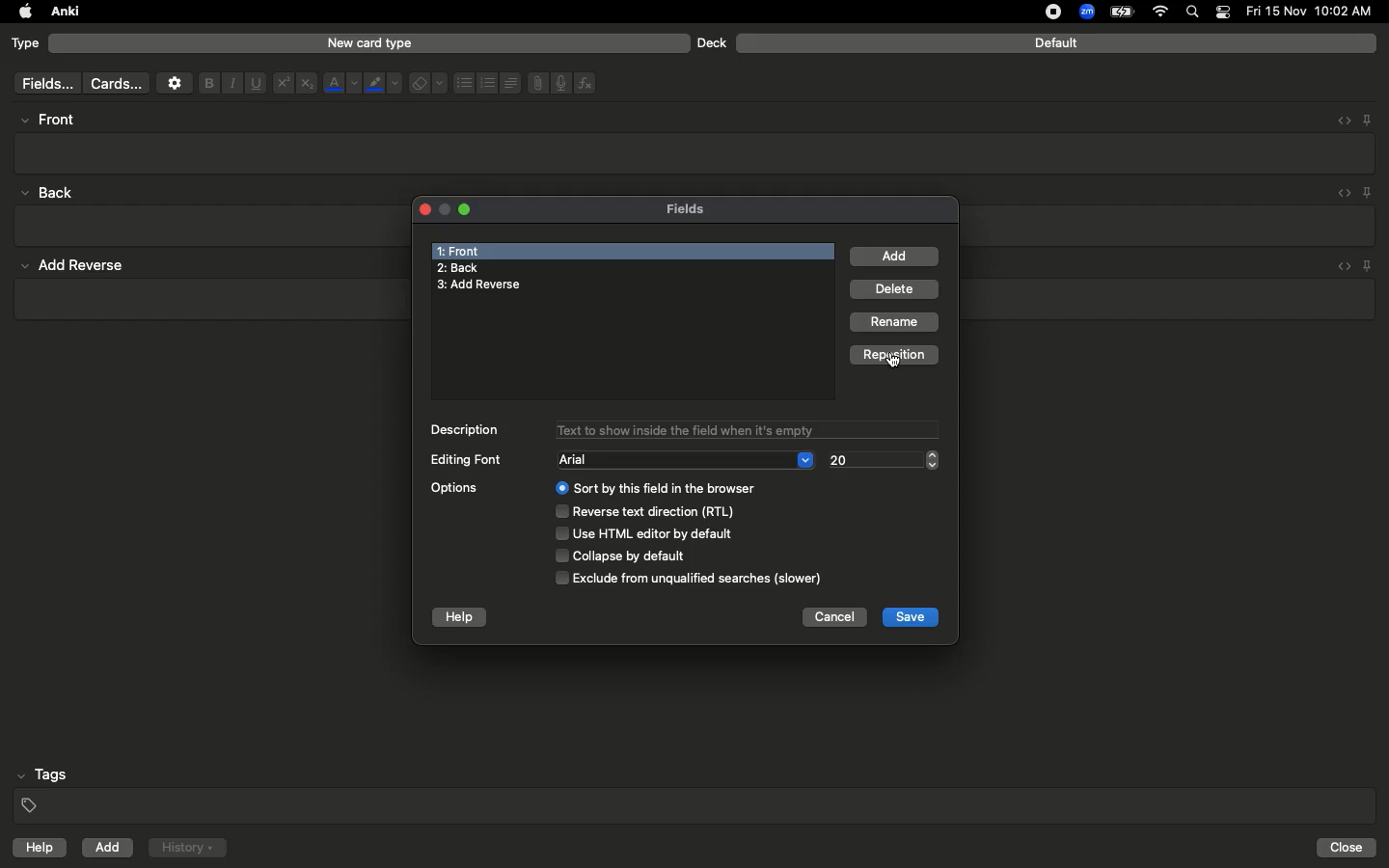 This screenshot has height=868, width=1389. What do you see at coordinates (696, 152) in the screenshot?
I see `Textbox` at bounding box center [696, 152].